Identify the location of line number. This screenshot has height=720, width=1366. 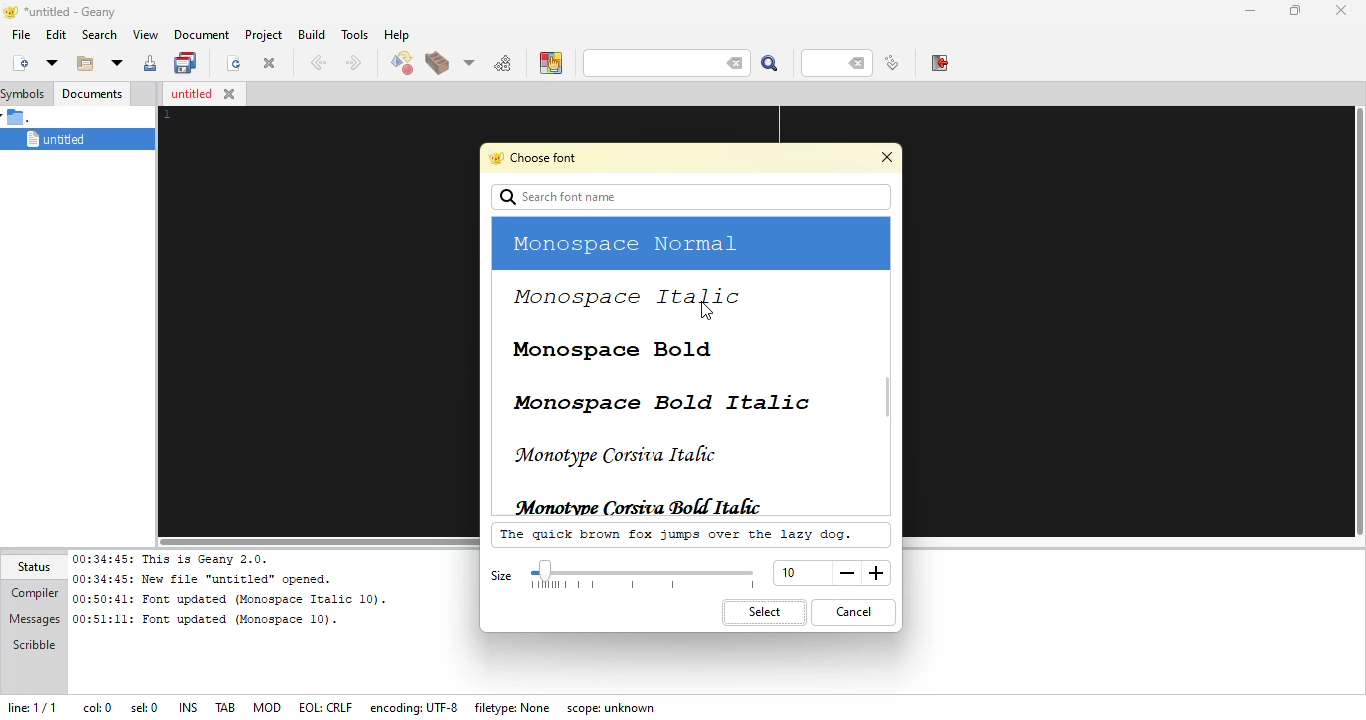
(826, 63).